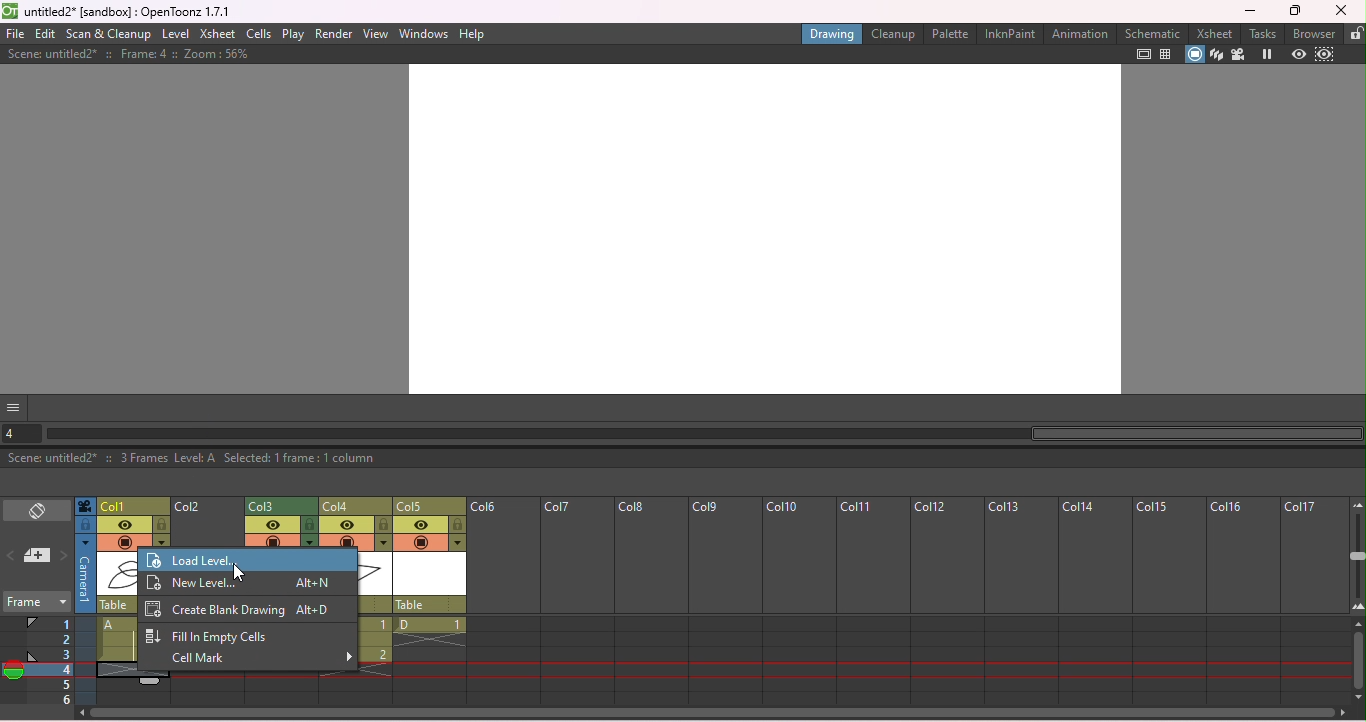 This screenshot has width=1366, height=722. What do you see at coordinates (1315, 33) in the screenshot?
I see `Browser` at bounding box center [1315, 33].